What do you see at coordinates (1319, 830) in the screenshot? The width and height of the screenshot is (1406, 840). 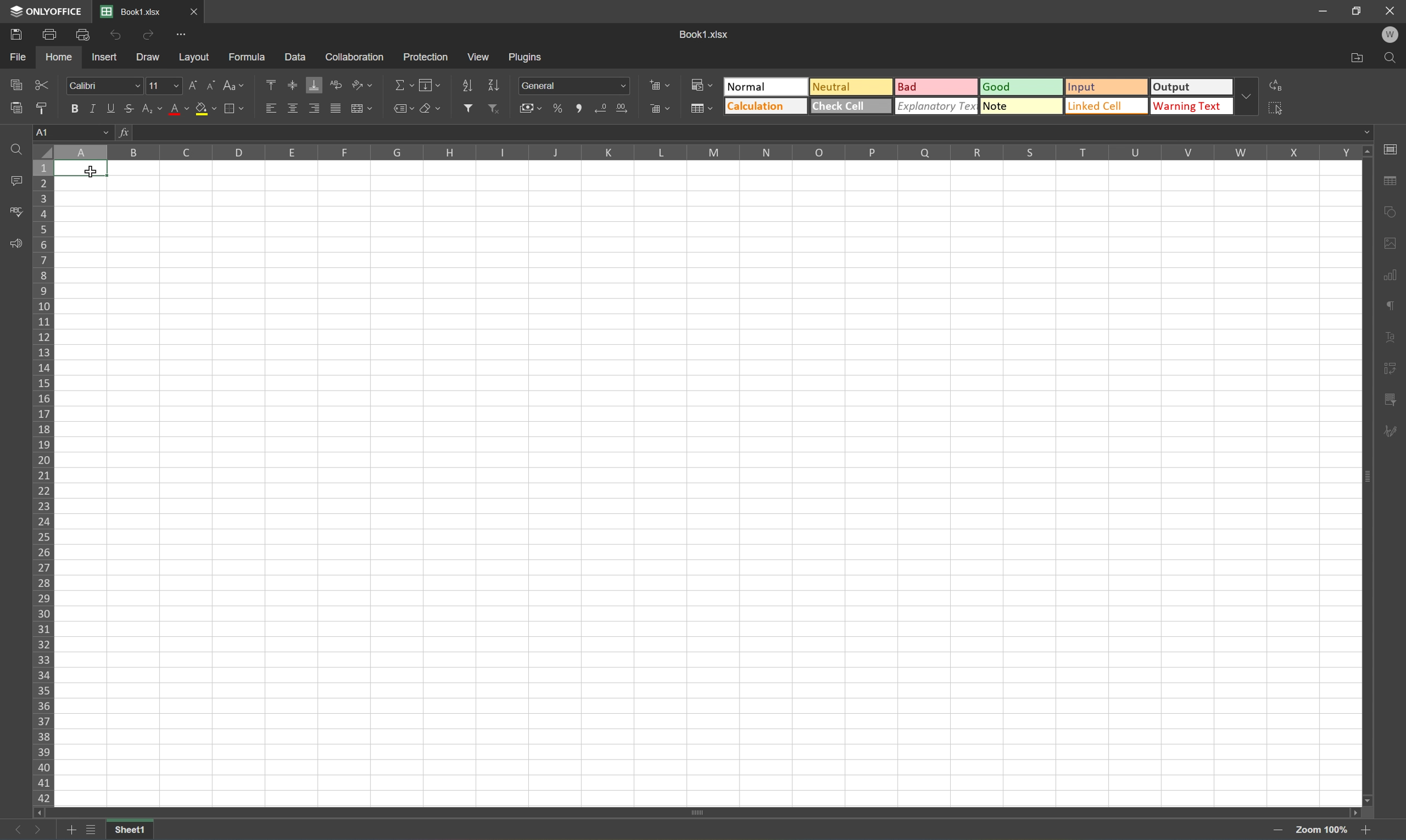 I see `Zoom 100%` at bounding box center [1319, 830].